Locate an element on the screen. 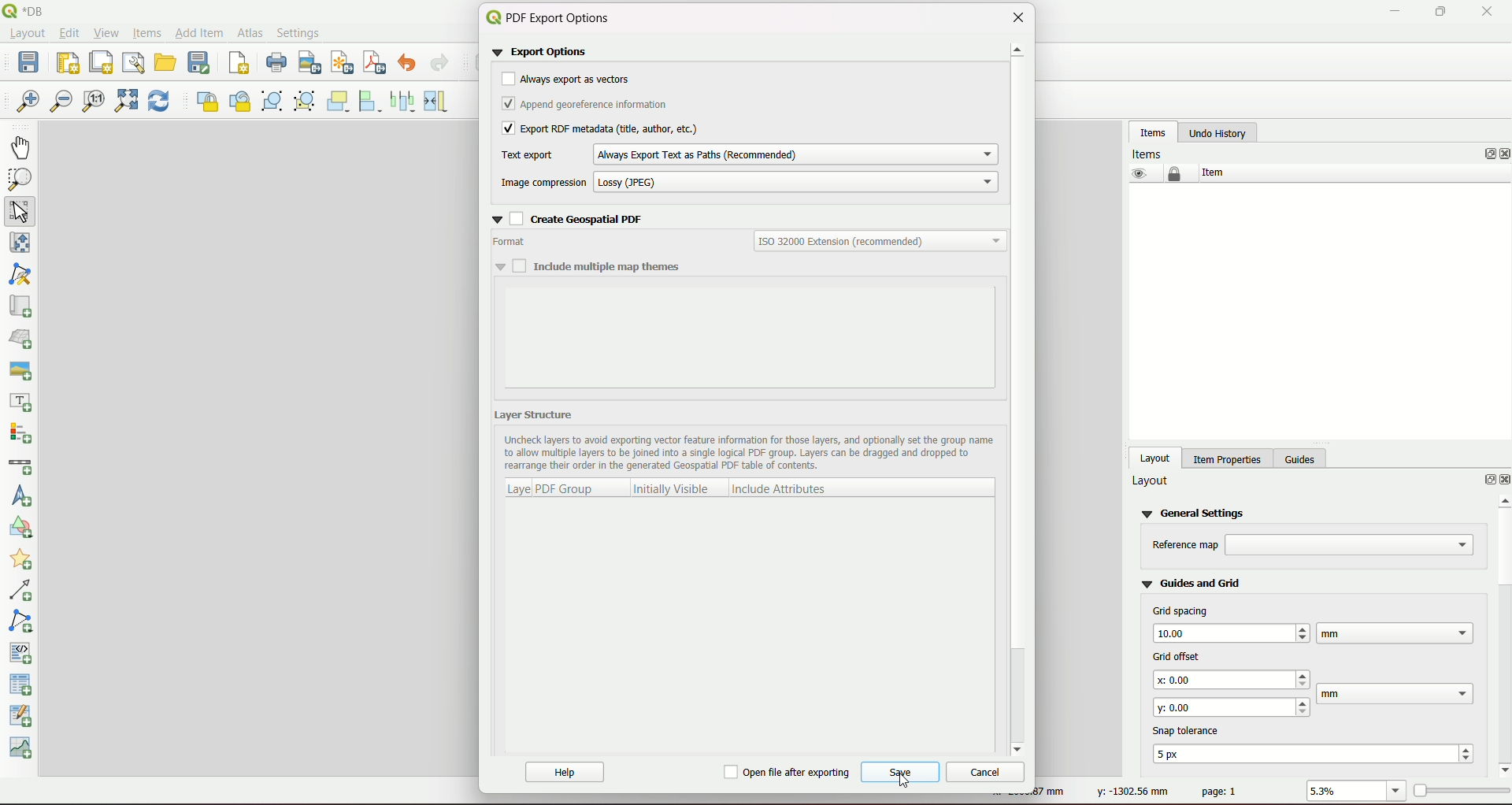  Settings is located at coordinates (301, 32).